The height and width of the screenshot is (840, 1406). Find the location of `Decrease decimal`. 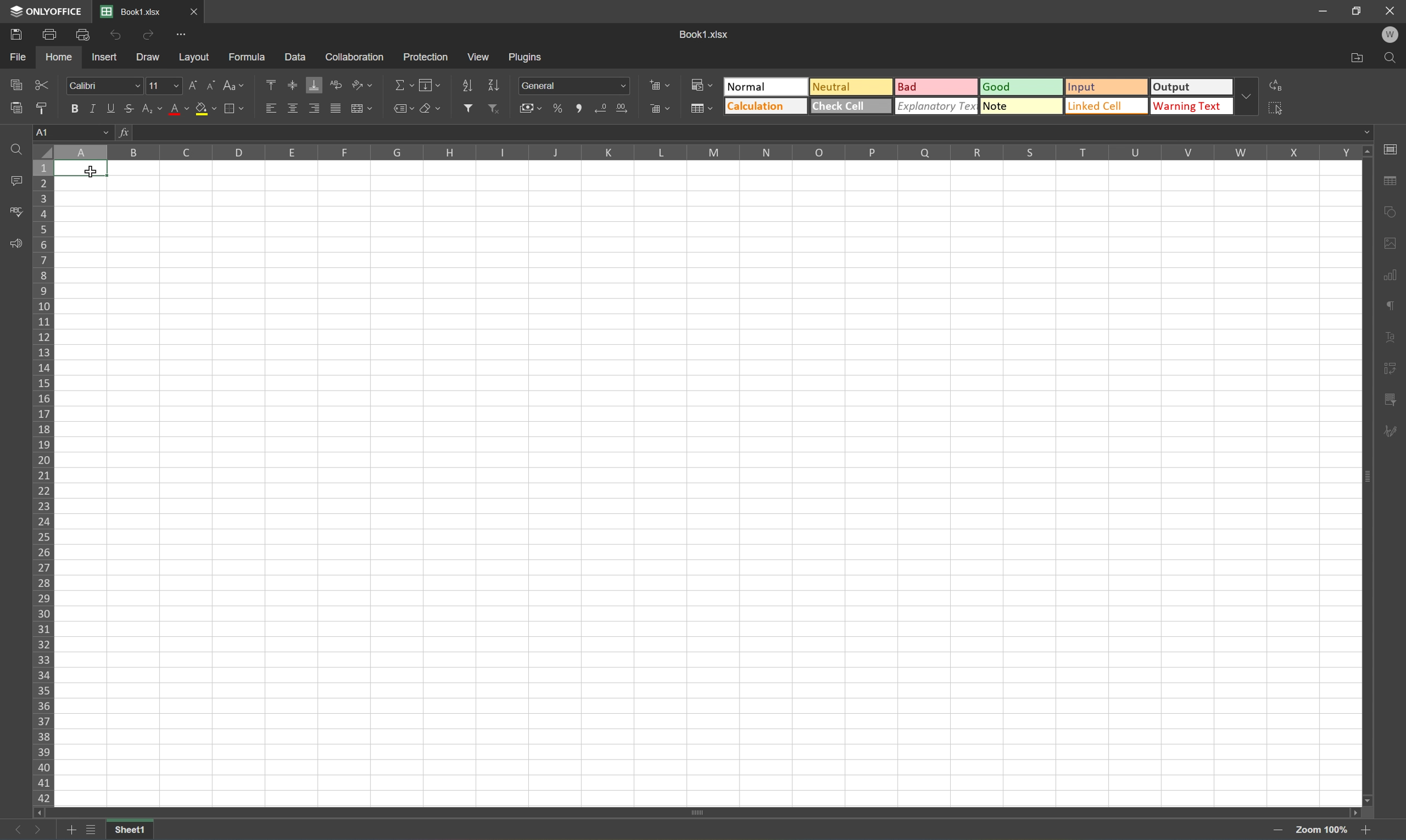

Decrease decimal is located at coordinates (604, 108).